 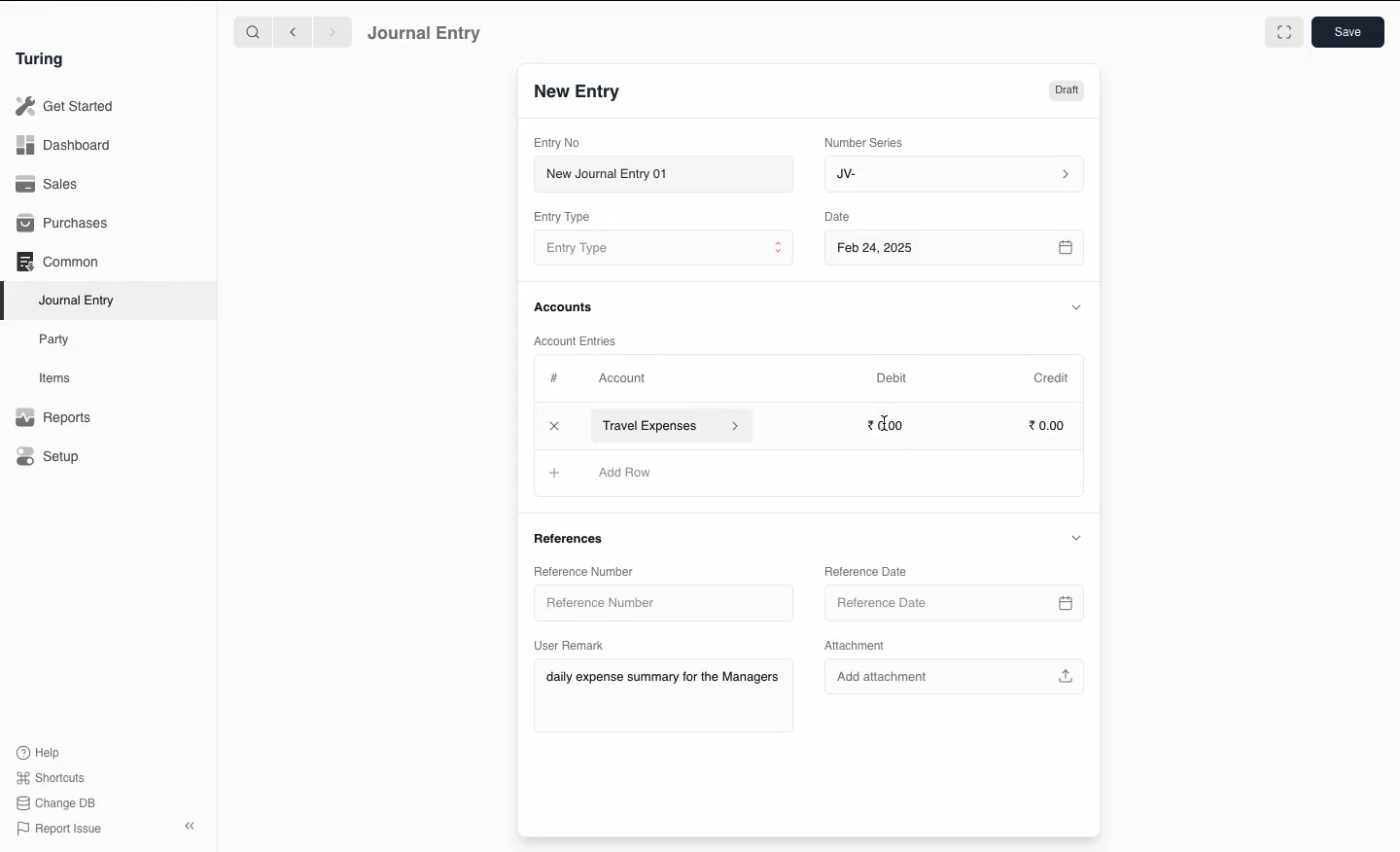 What do you see at coordinates (892, 378) in the screenshot?
I see `Debit` at bounding box center [892, 378].